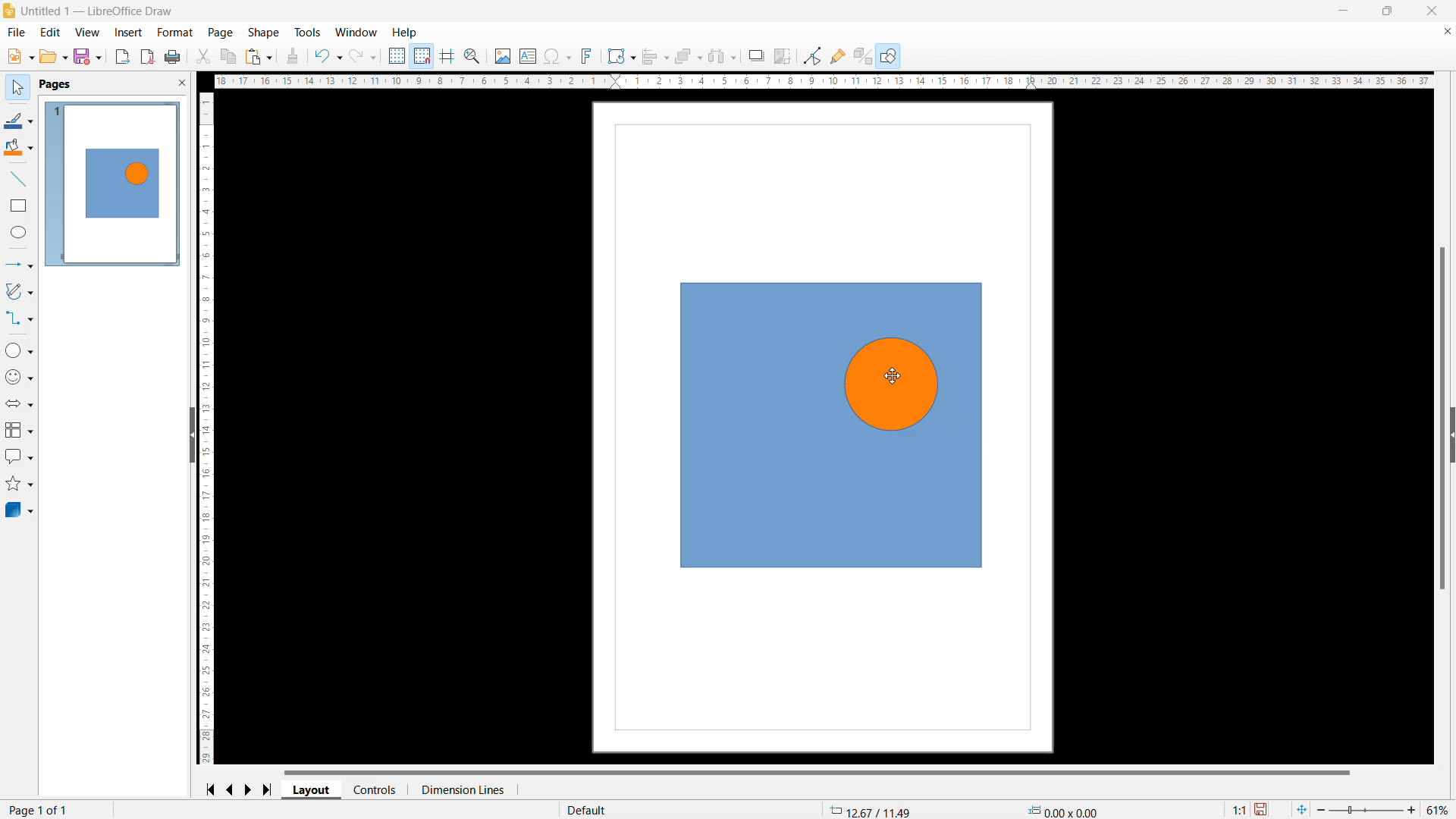 The width and height of the screenshot is (1456, 819). I want to click on show extrusions, so click(864, 56).